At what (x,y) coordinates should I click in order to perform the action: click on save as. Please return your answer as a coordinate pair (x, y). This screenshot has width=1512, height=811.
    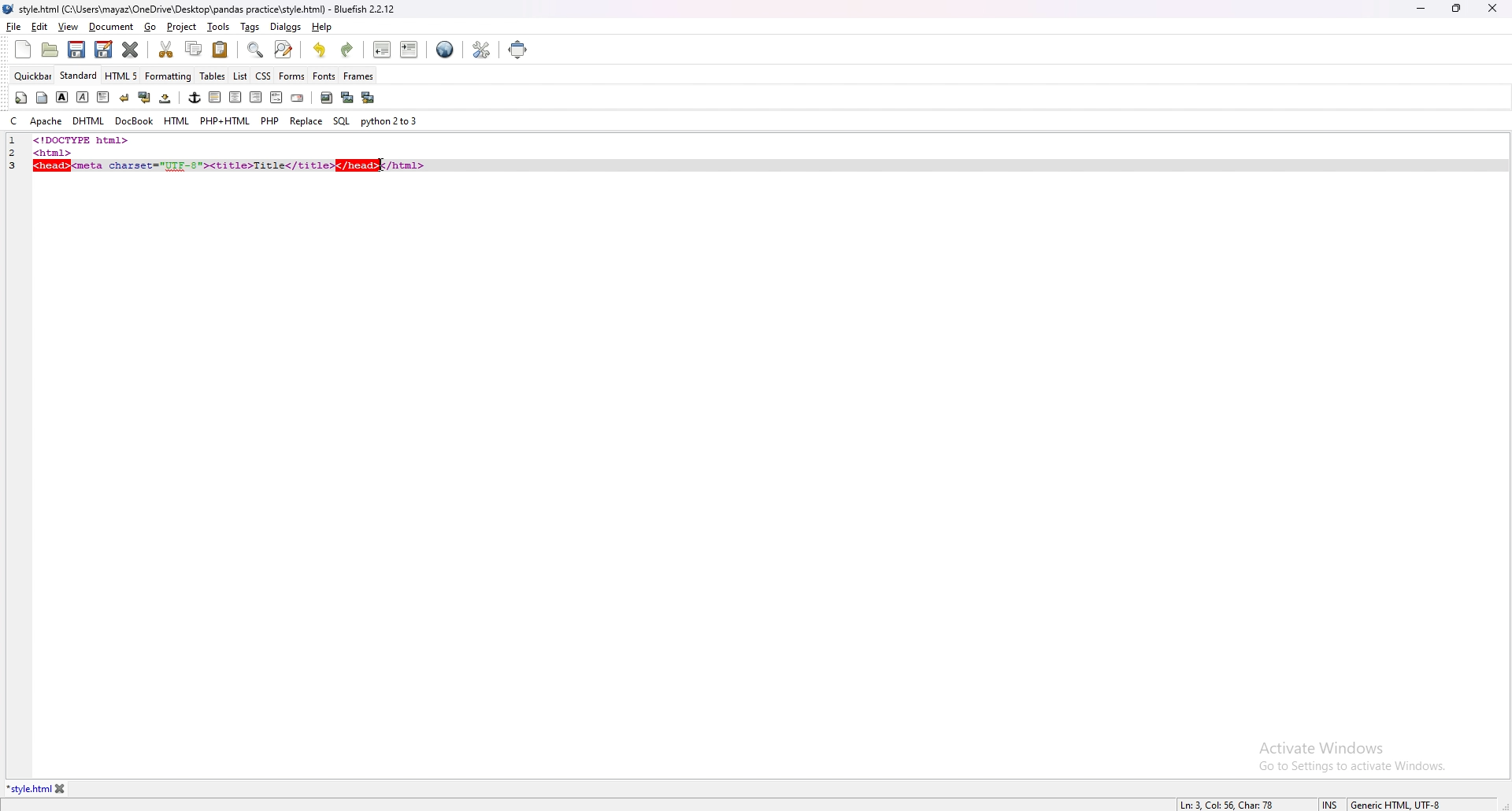
    Looking at the image, I should click on (103, 50).